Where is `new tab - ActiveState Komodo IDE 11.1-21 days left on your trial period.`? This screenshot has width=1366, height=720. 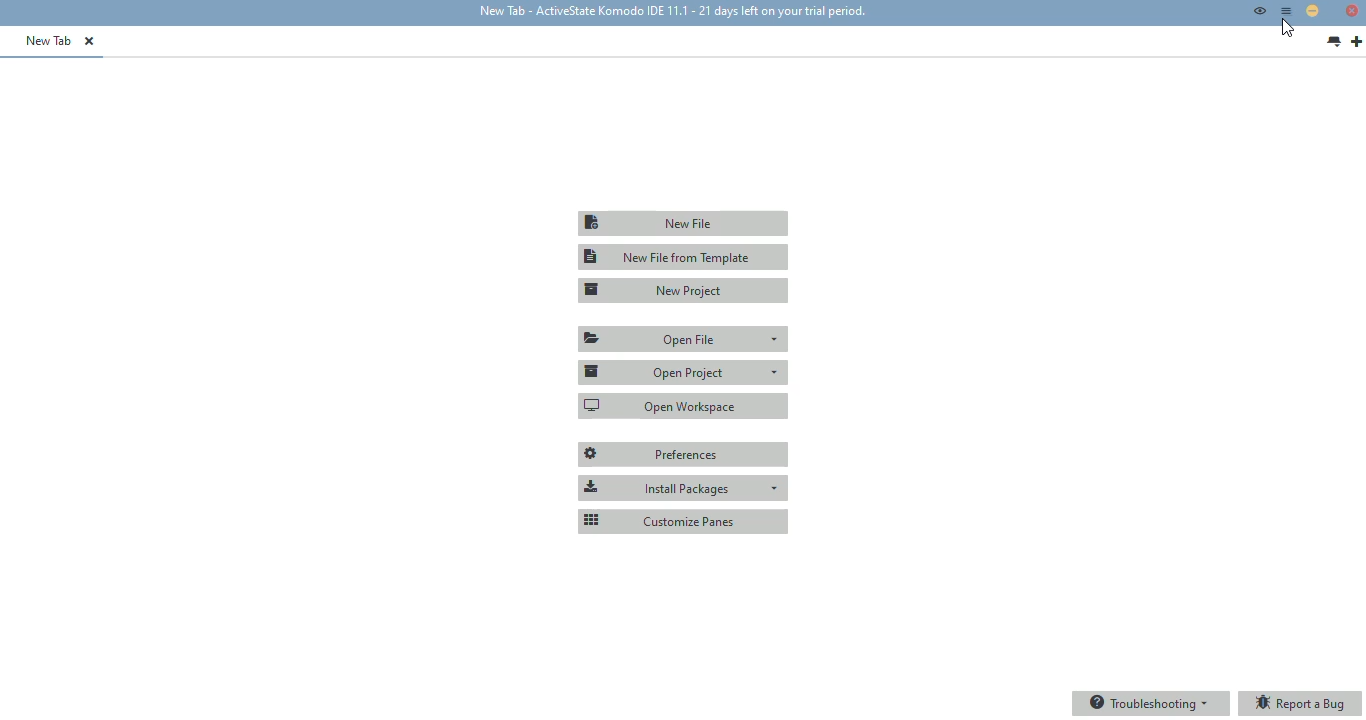 new tab - ActiveState Komodo IDE 11.1-21 days left on your trial period. is located at coordinates (670, 12).